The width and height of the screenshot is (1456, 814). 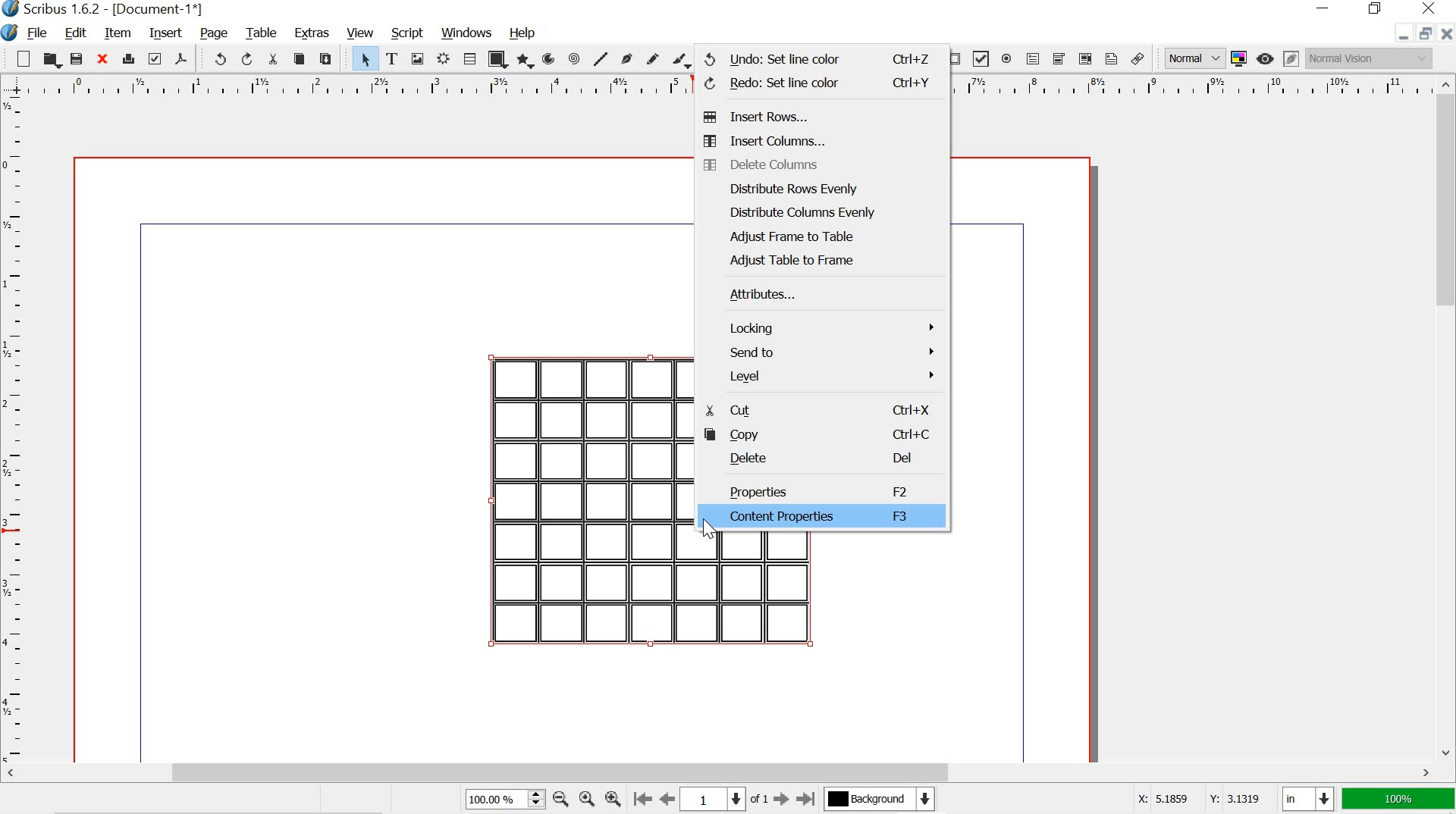 I want to click on link annotation, so click(x=1137, y=58).